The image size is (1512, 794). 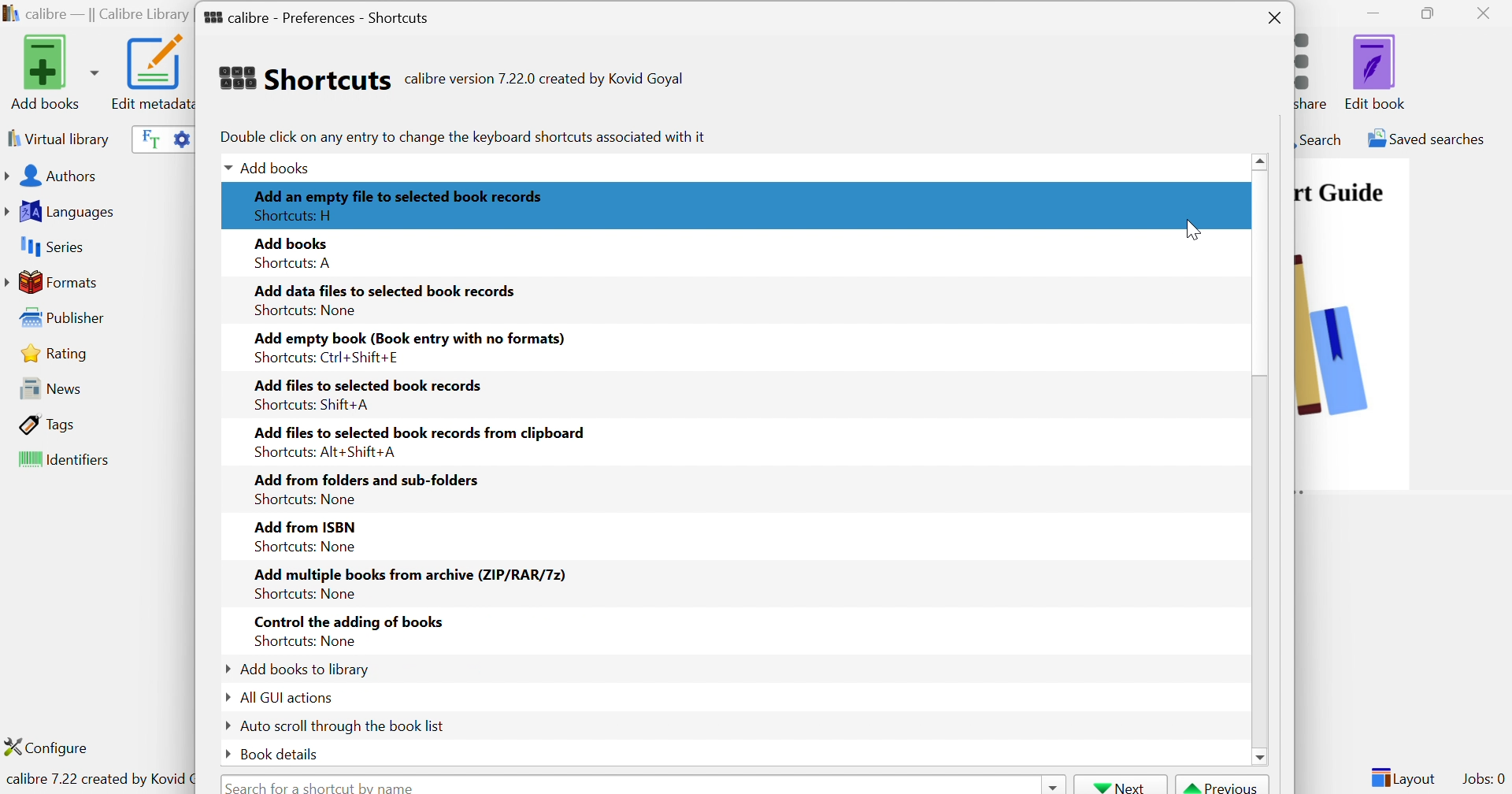 What do you see at coordinates (1121, 785) in the screenshot?
I see `Next` at bounding box center [1121, 785].